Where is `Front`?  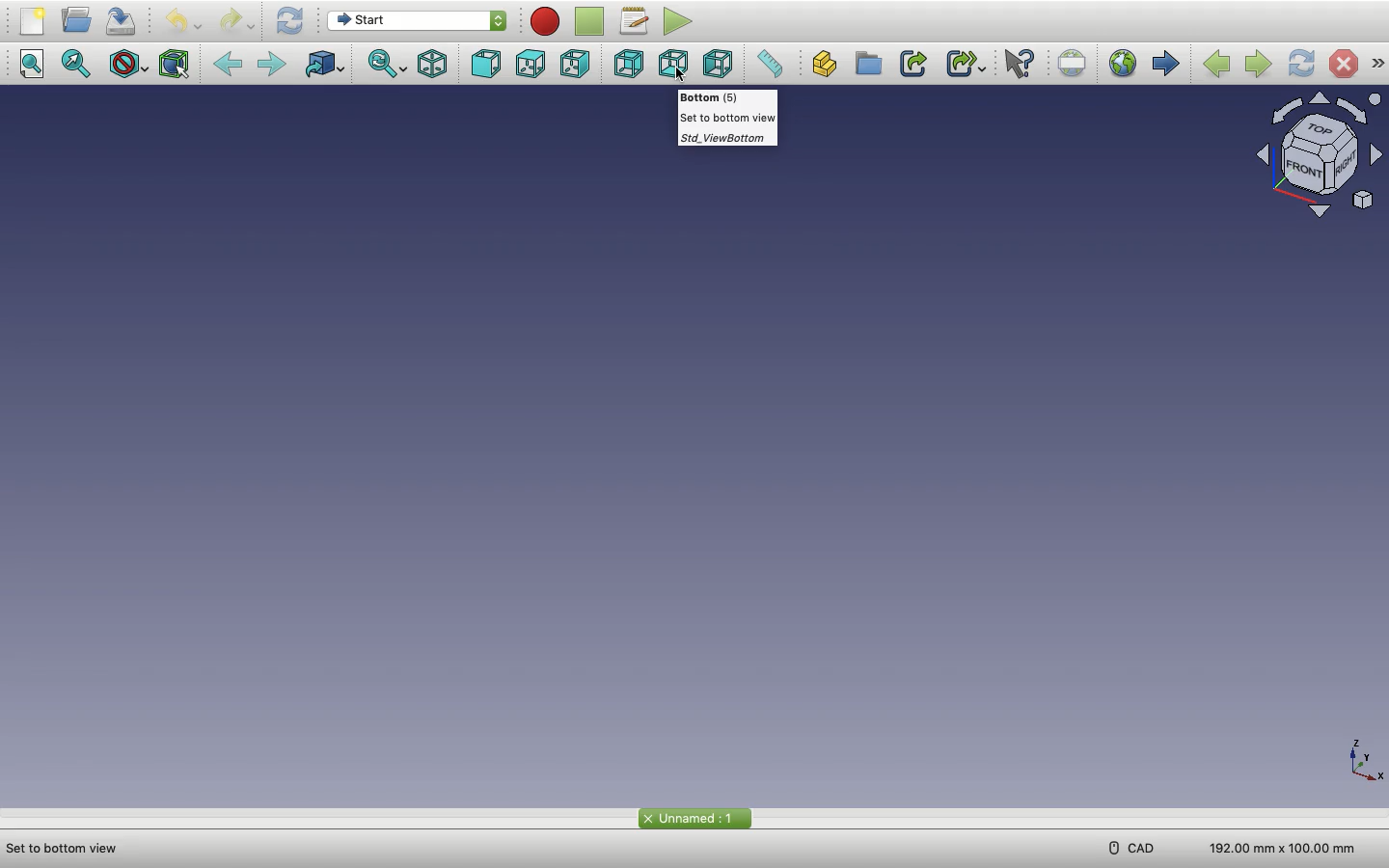 Front is located at coordinates (490, 65).